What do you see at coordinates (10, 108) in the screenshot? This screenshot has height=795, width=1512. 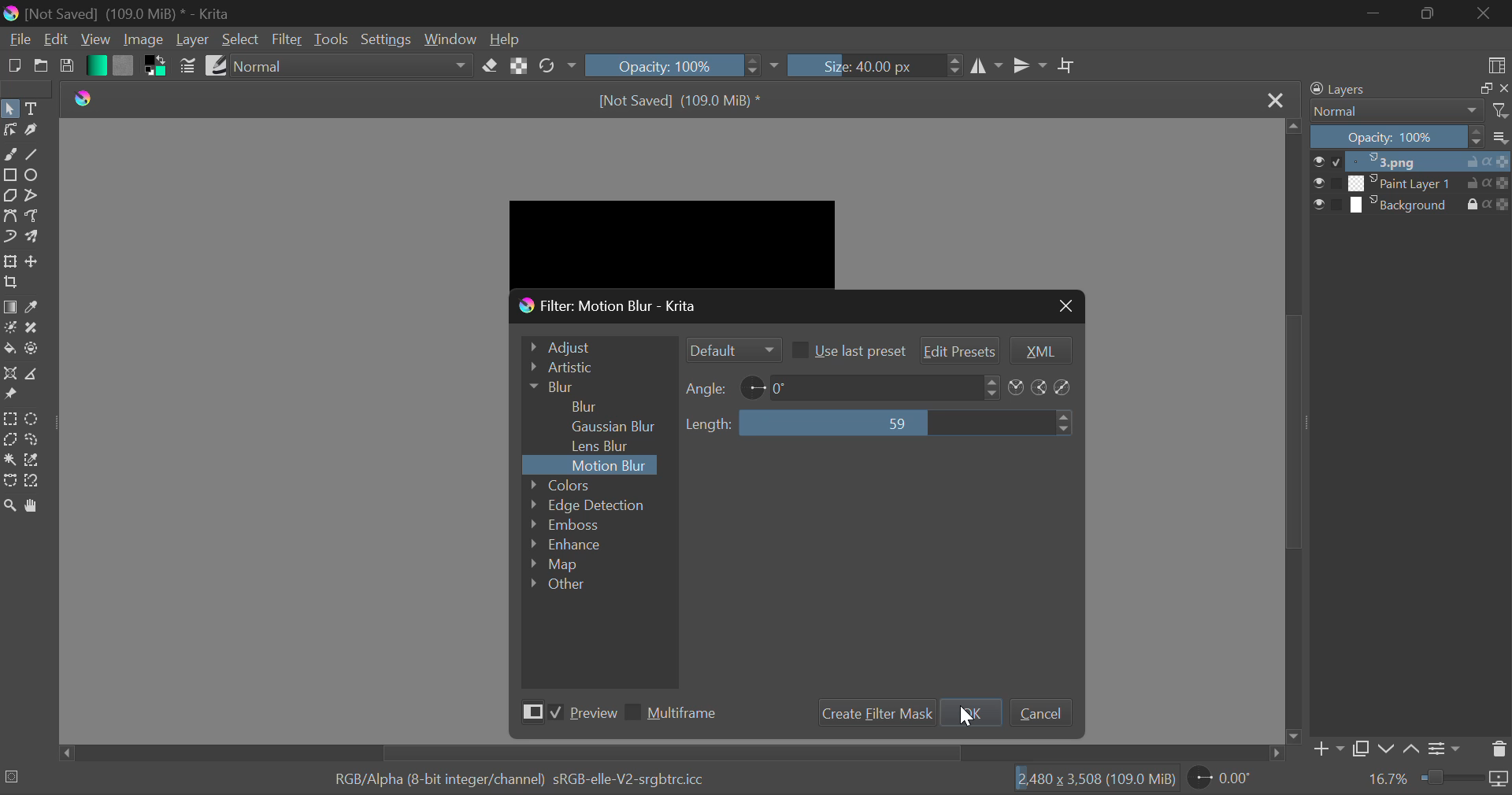 I see `Select` at bounding box center [10, 108].